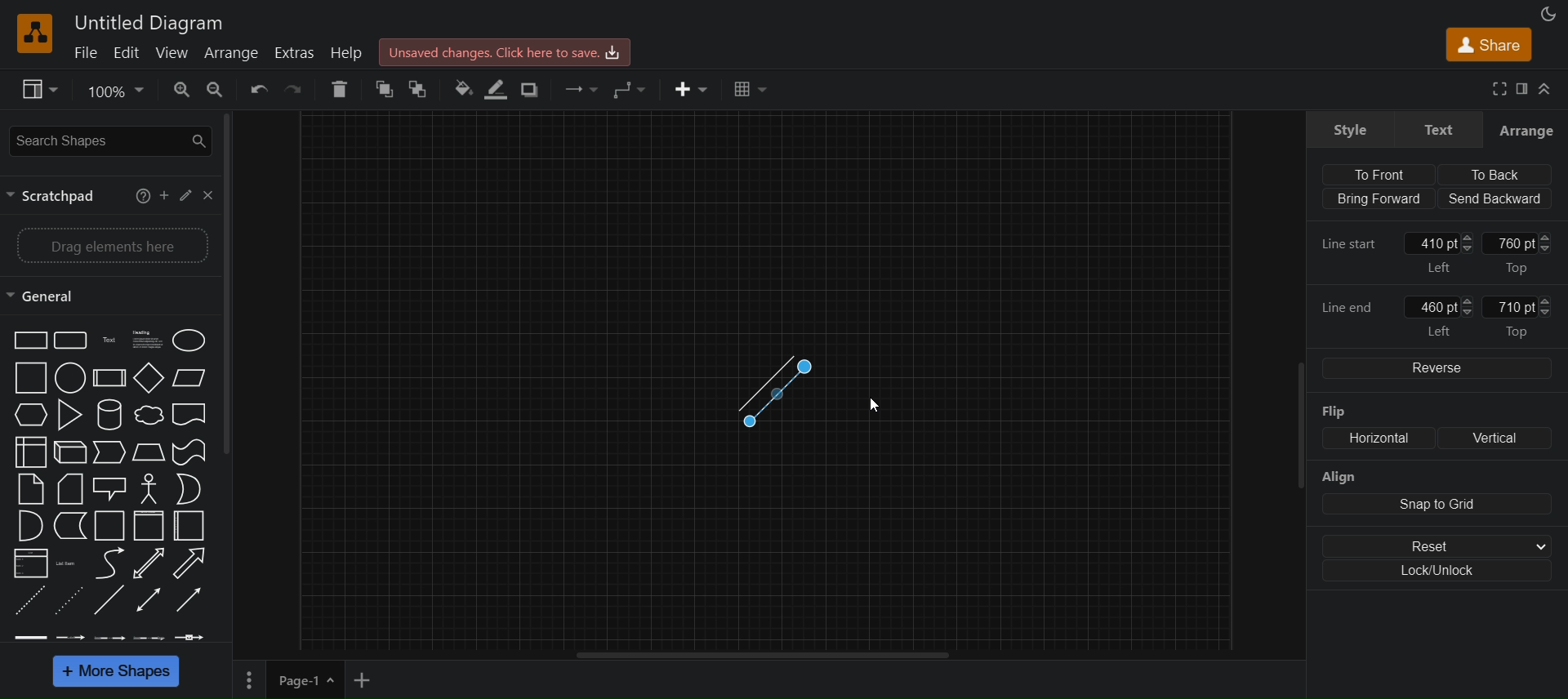  I want to click on to back, so click(1494, 172).